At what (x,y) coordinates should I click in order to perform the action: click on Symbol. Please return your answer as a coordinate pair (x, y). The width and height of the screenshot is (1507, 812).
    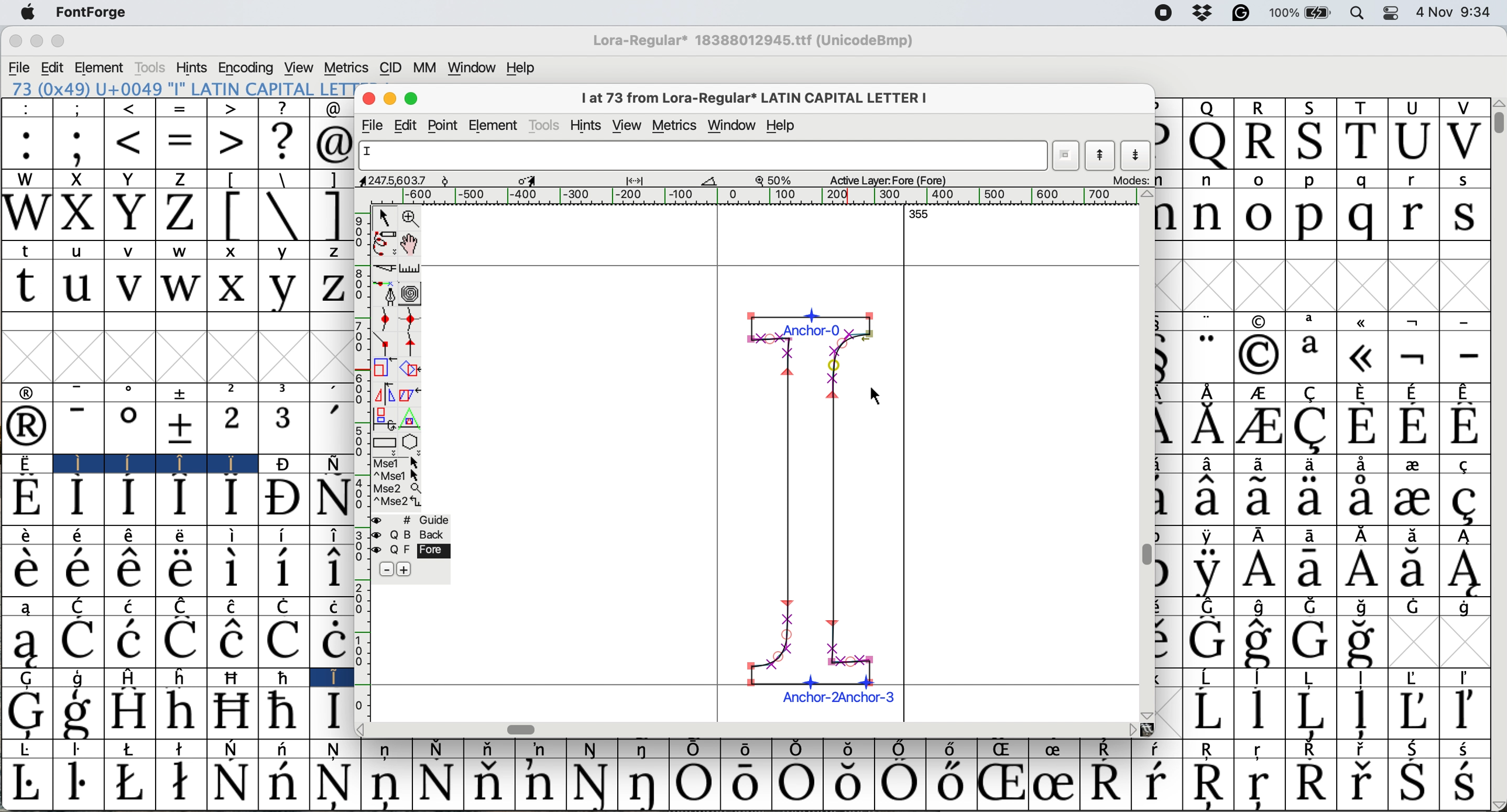
    Looking at the image, I should click on (331, 641).